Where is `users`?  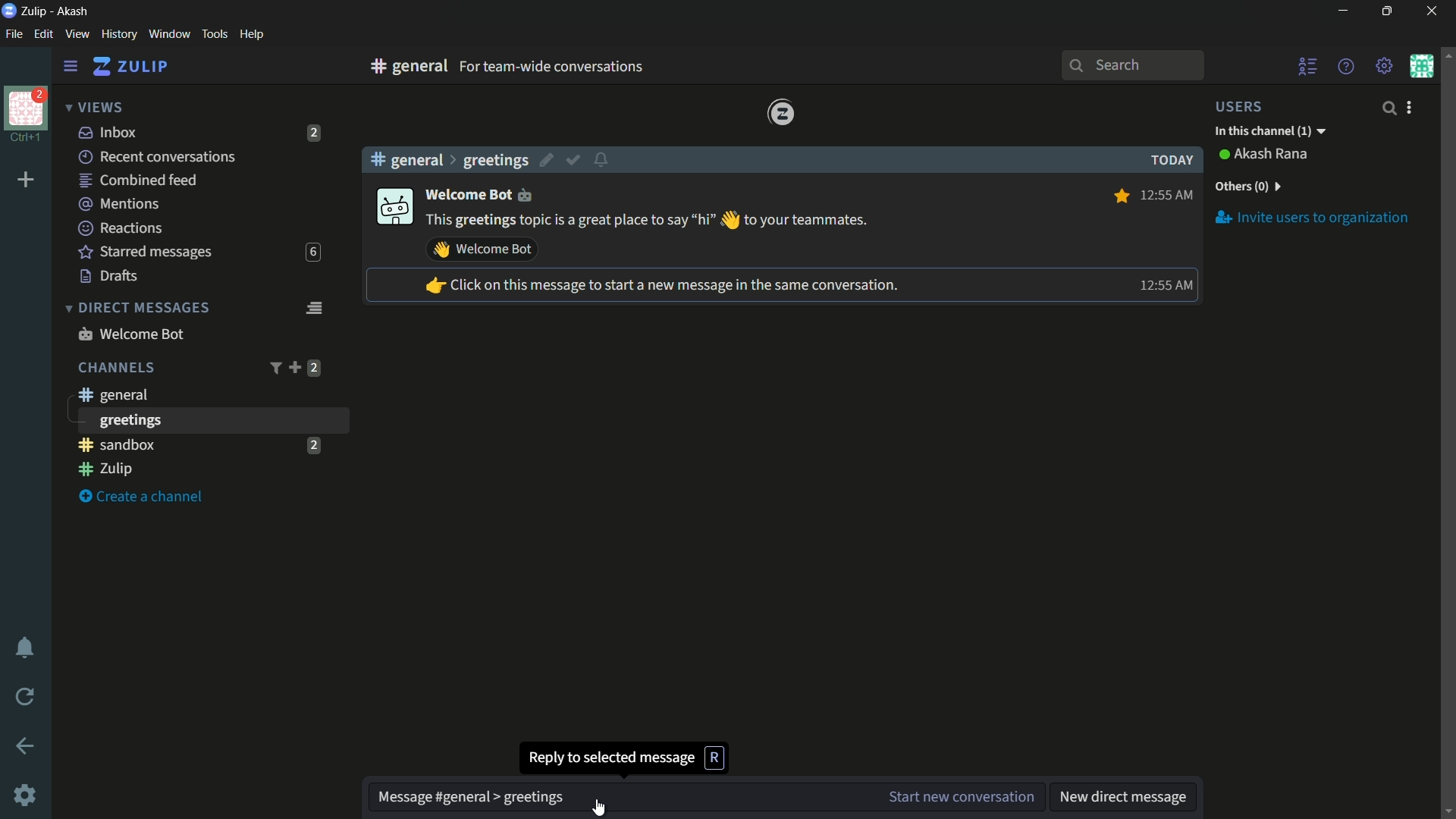 users is located at coordinates (1248, 106).